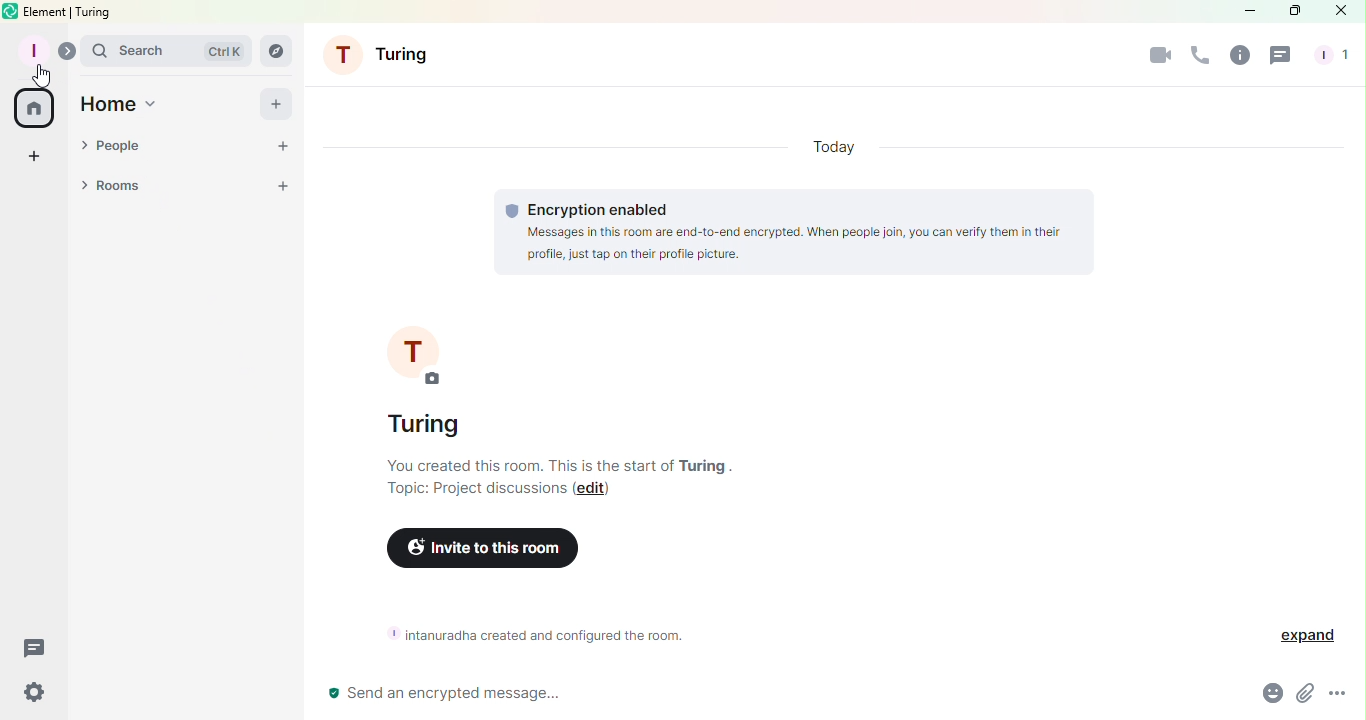  Describe the element at coordinates (170, 51) in the screenshot. I see `Search bar` at that location.